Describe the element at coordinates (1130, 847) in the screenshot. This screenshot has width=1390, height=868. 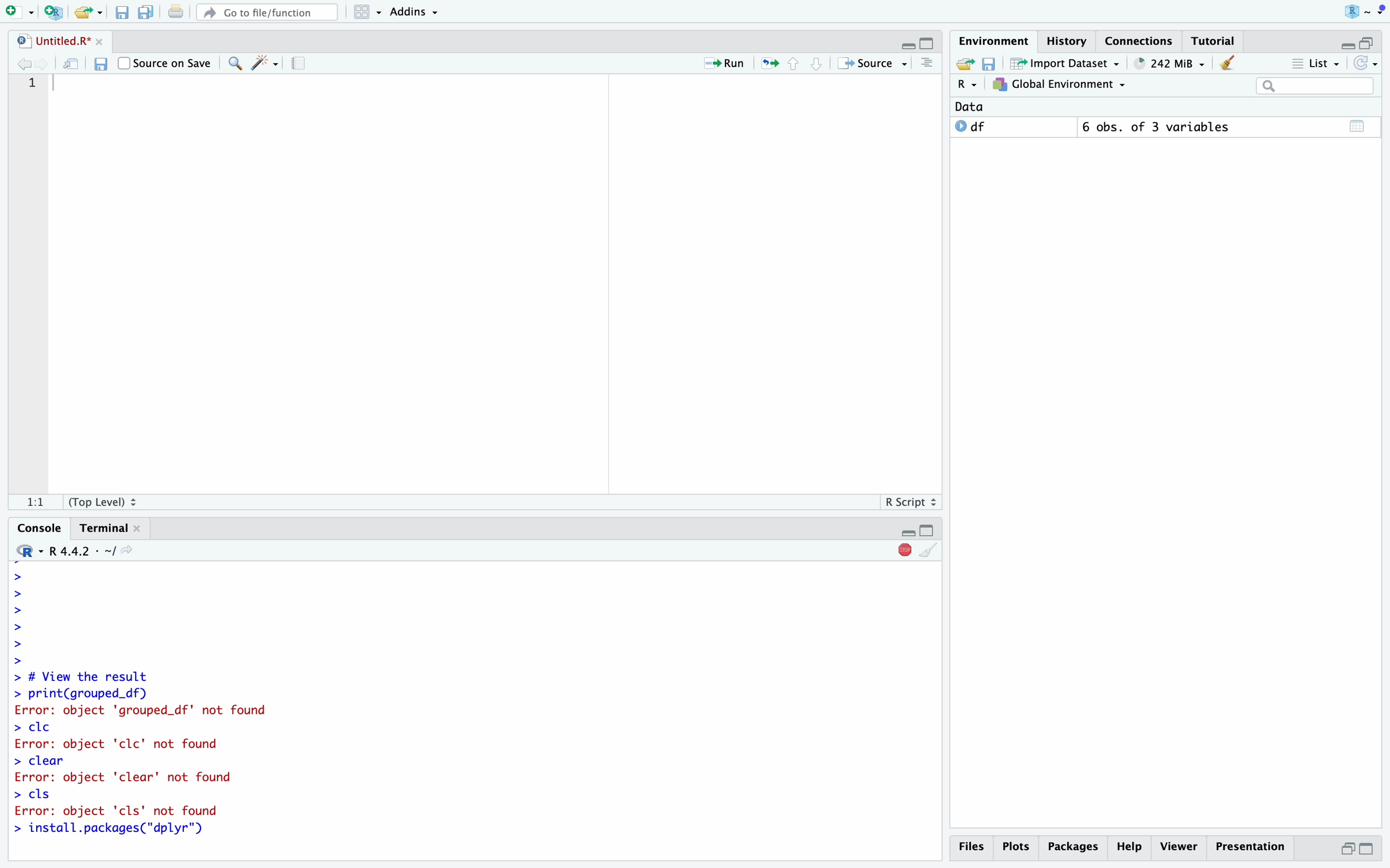
I see `Help` at that location.